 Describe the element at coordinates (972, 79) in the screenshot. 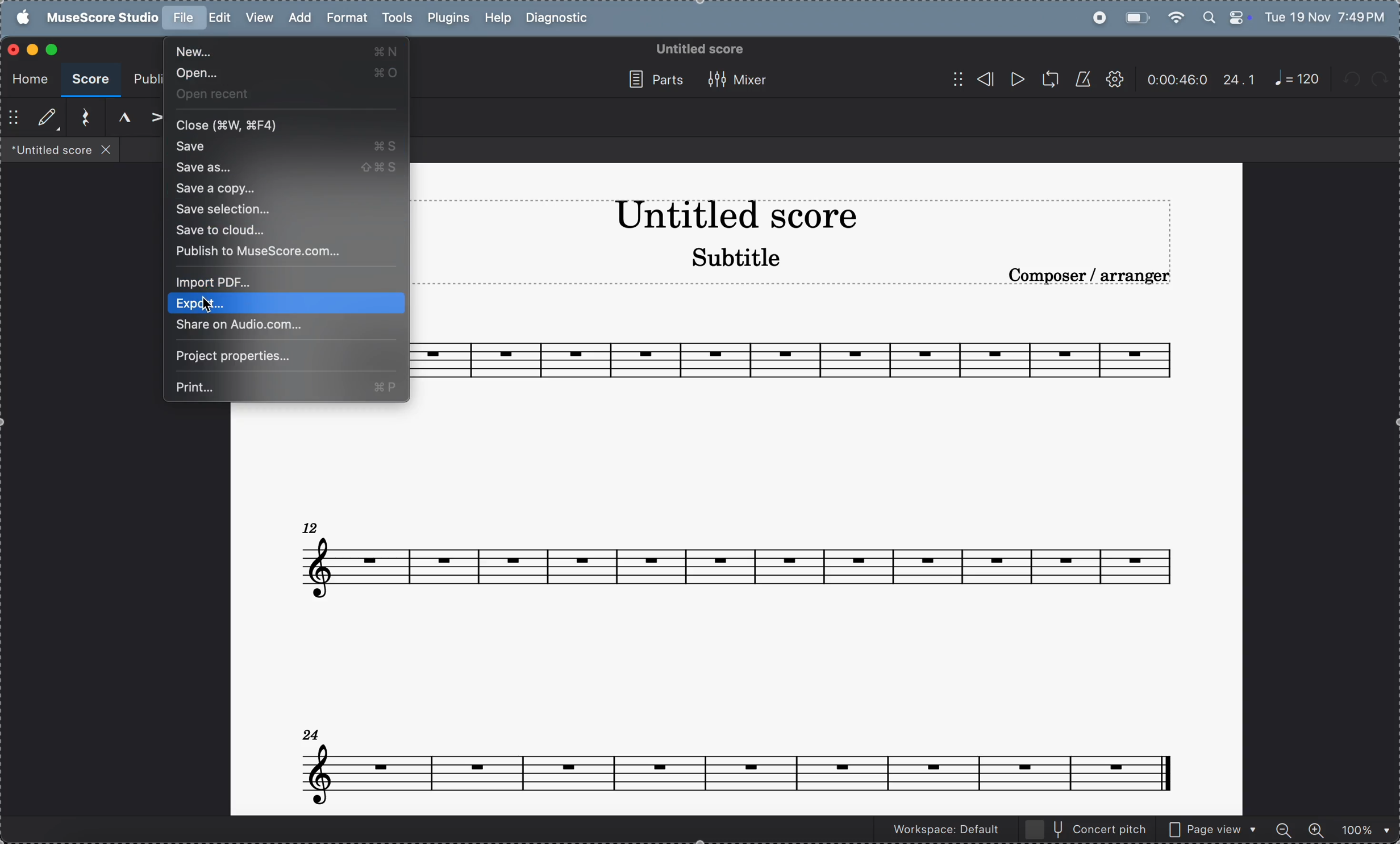

I see `rewind` at that location.